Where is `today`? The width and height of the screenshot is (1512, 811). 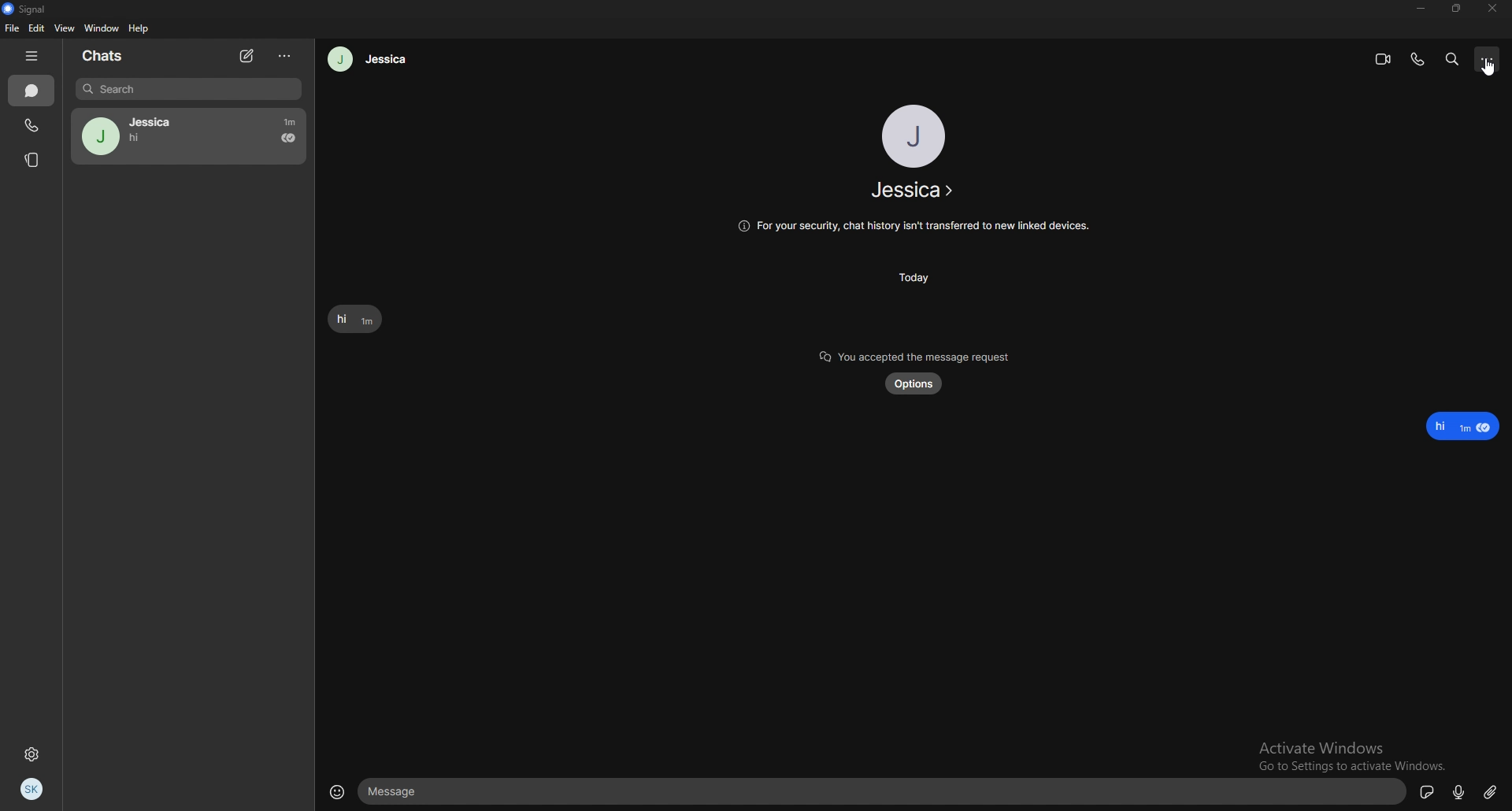 today is located at coordinates (914, 277).